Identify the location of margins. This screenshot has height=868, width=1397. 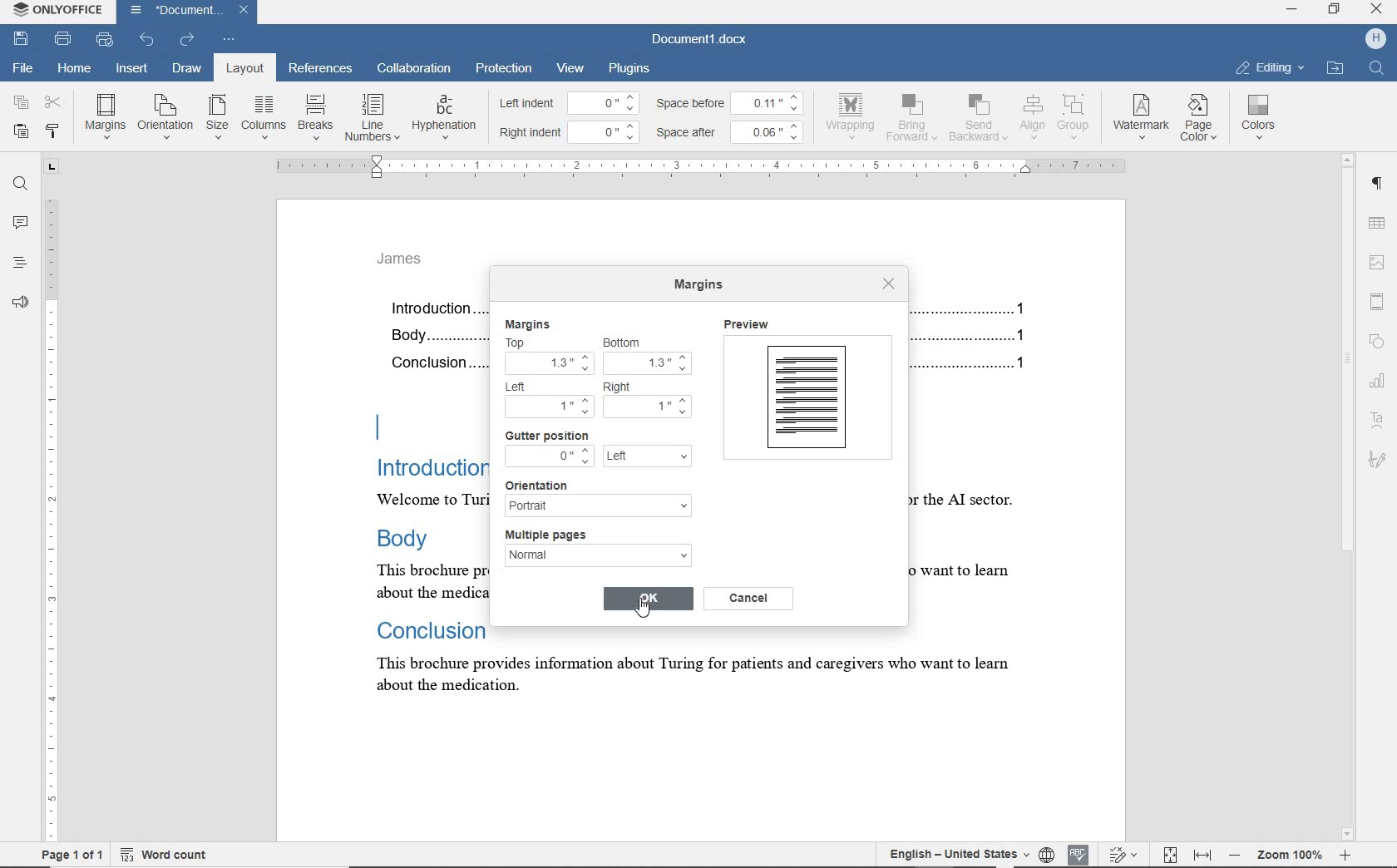
(702, 287).